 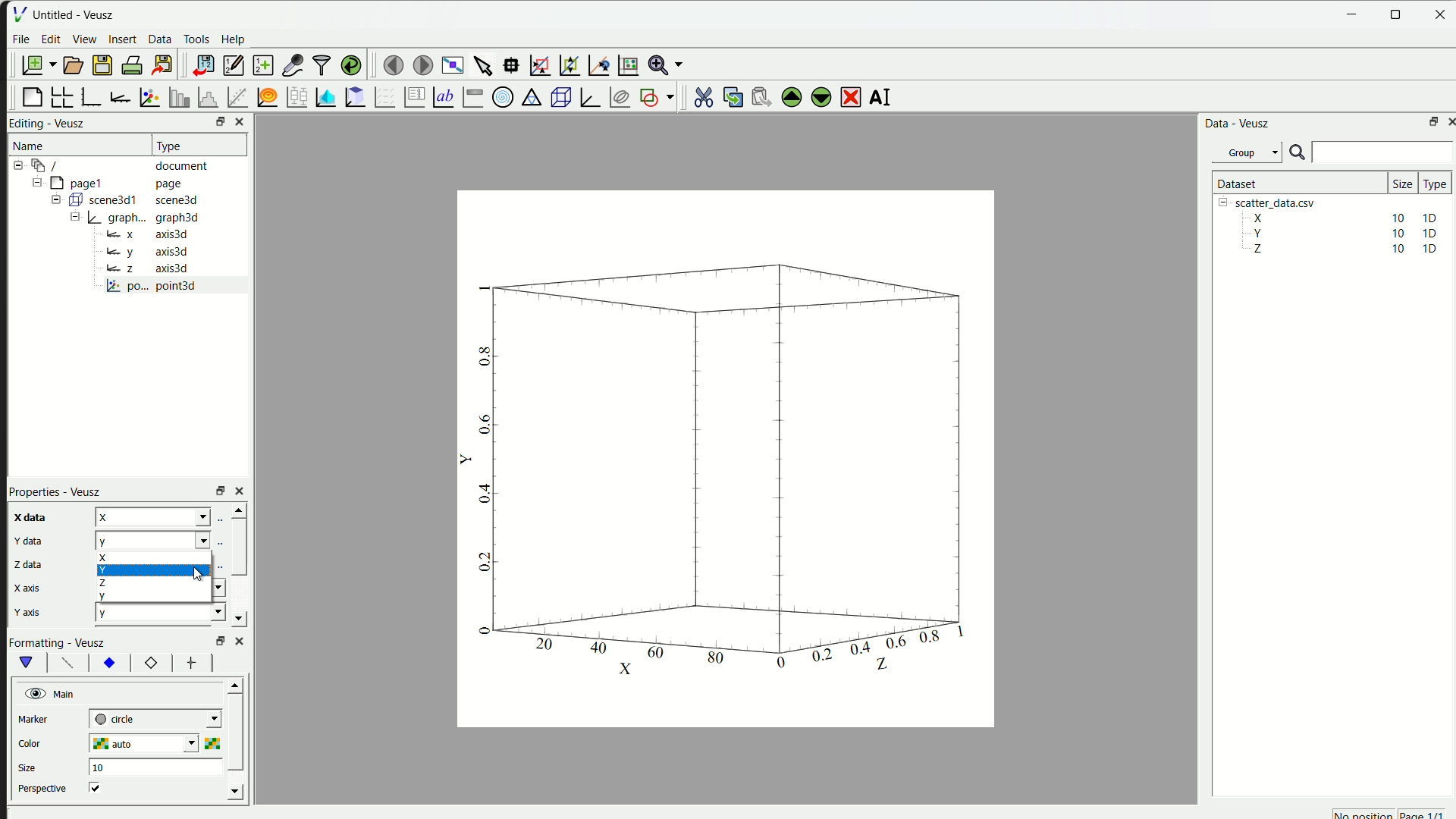 What do you see at coordinates (411, 98) in the screenshot?
I see `plot key` at bounding box center [411, 98].